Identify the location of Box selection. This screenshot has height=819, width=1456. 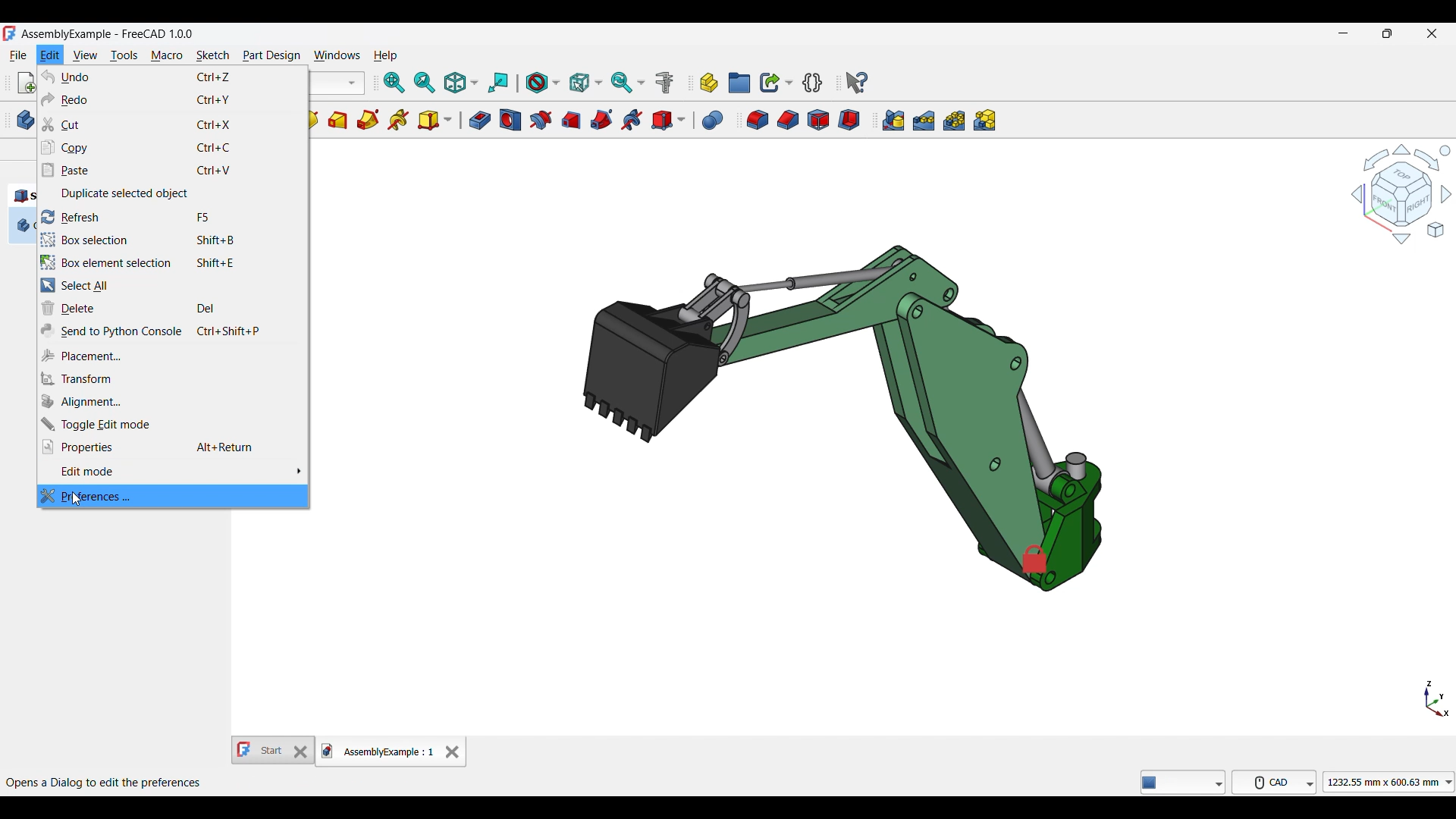
(172, 240).